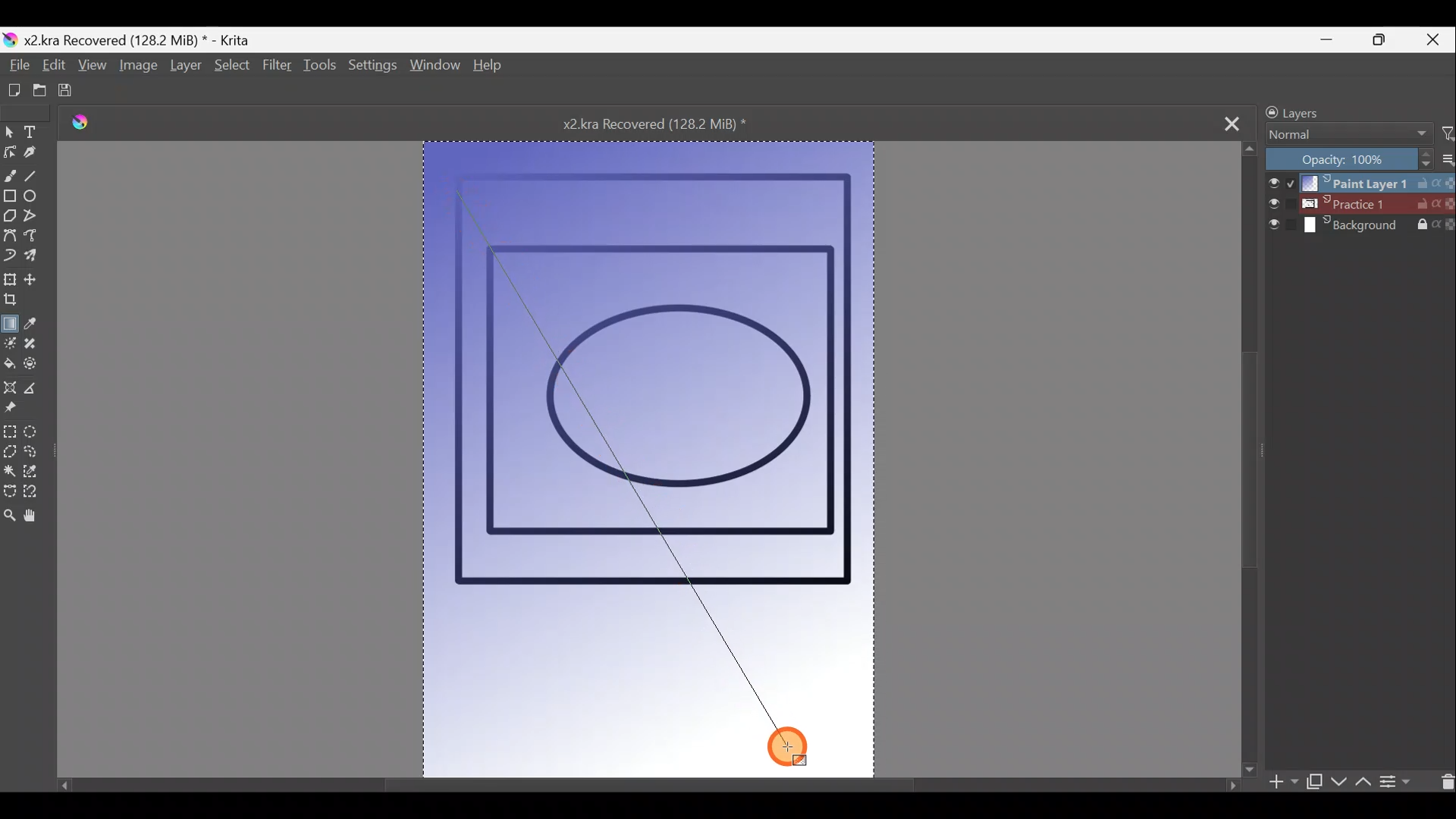 Image resolution: width=1456 pixels, height=819 pixels. What do you see at coordinates (93, 69) in the screenshot?
I see `View` at bounding box center [93, 69].